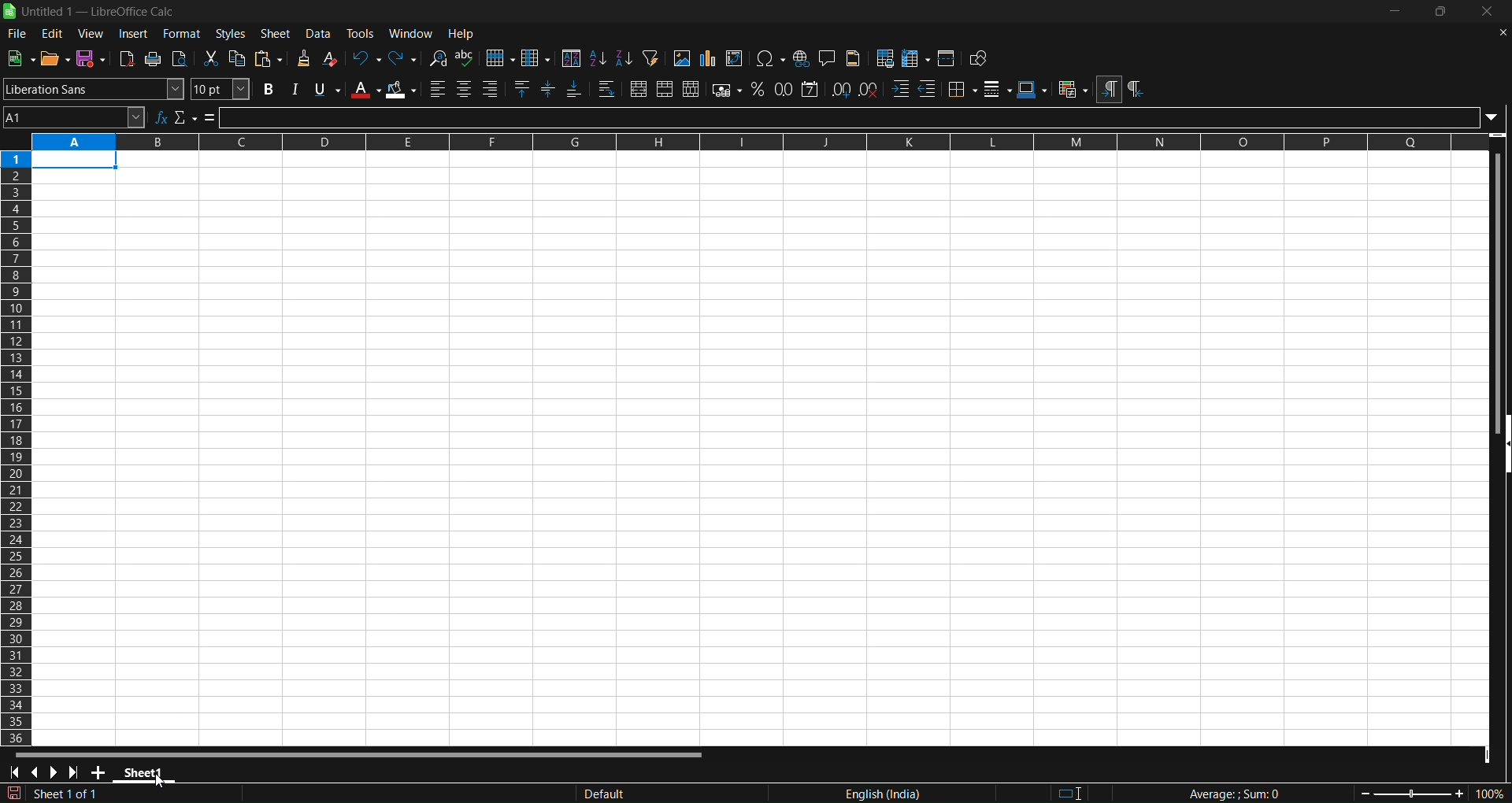 The width and height of the screenshot is (1512, 803). Describe the element at coordinates (360, 753) in the screenshot. I see `horizontal scroll bar` at that location.